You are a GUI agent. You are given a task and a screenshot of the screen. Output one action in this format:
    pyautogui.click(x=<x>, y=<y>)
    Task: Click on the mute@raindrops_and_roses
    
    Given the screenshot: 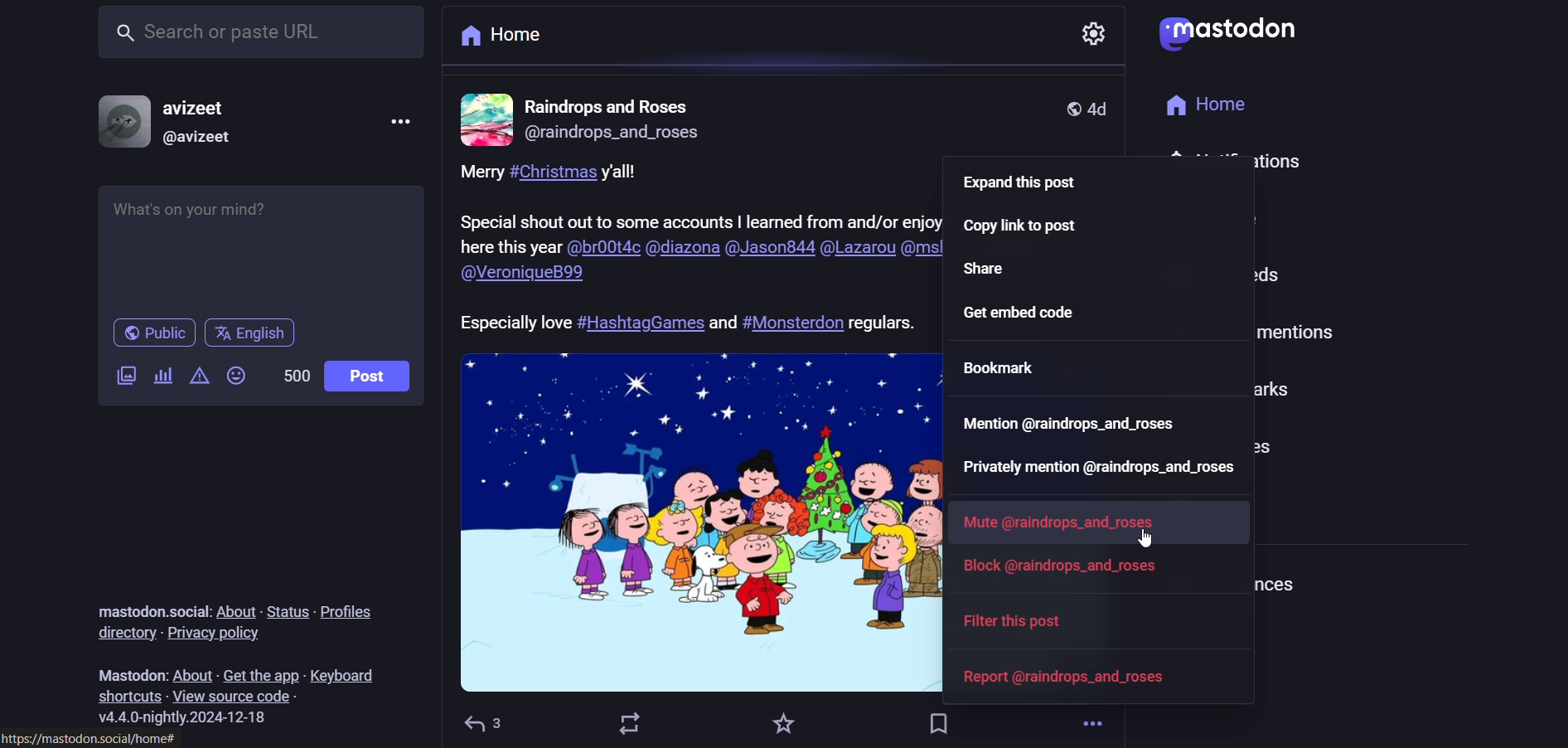 What is the action you would take?
    pyautogui.click(x=1064, y=525)
    